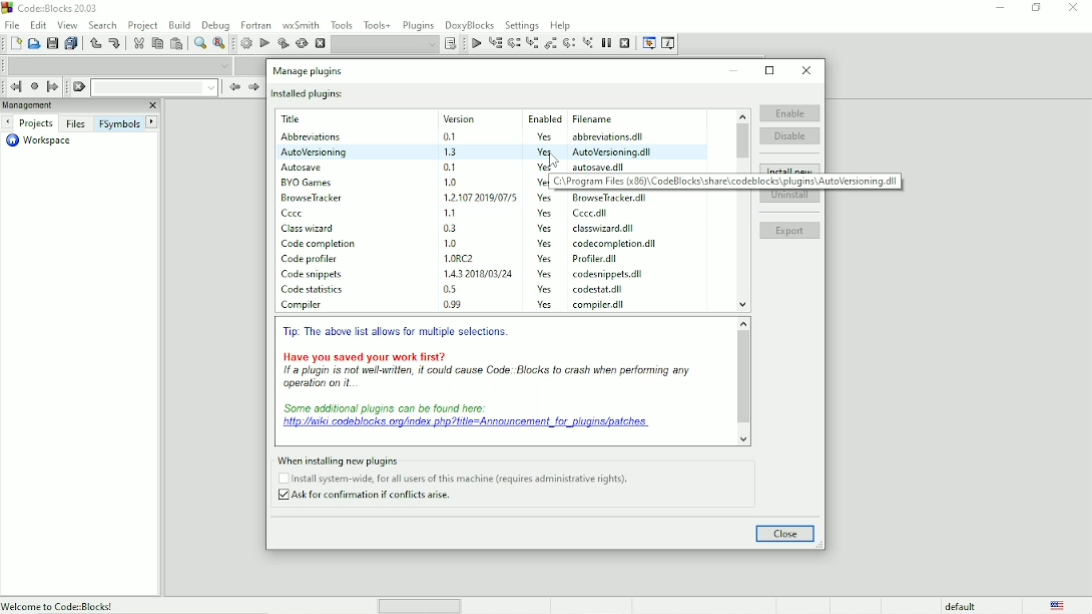 The height and width of the screenshot is (614, 1092). I want to click on Code statistics, so click(313, 291).